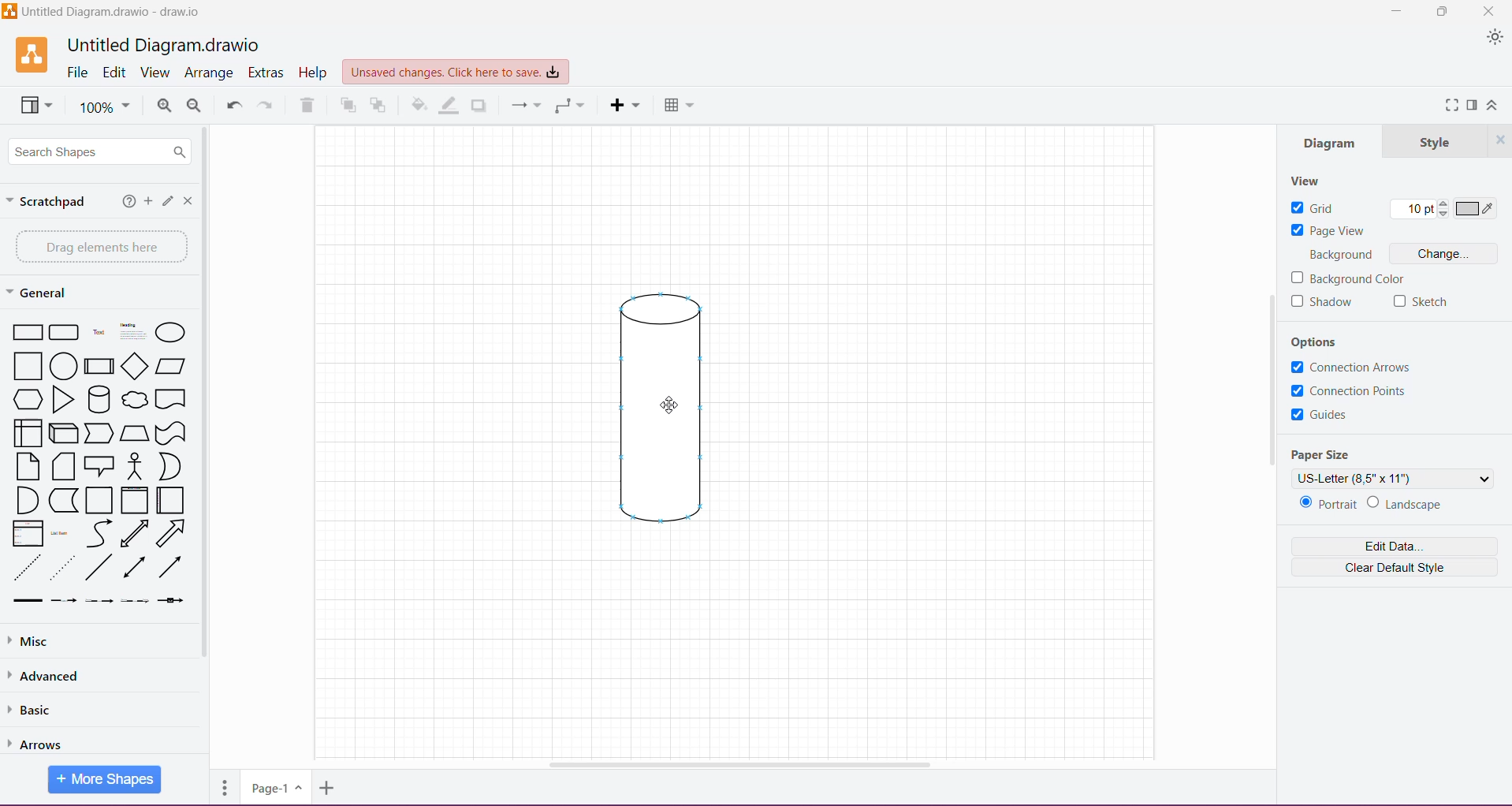 This screenshot has height=806, width=1512. What do you see at coordinates (1398, 11) in the screenshot?
I see `Minimize` at bounding box center [1398, 11].